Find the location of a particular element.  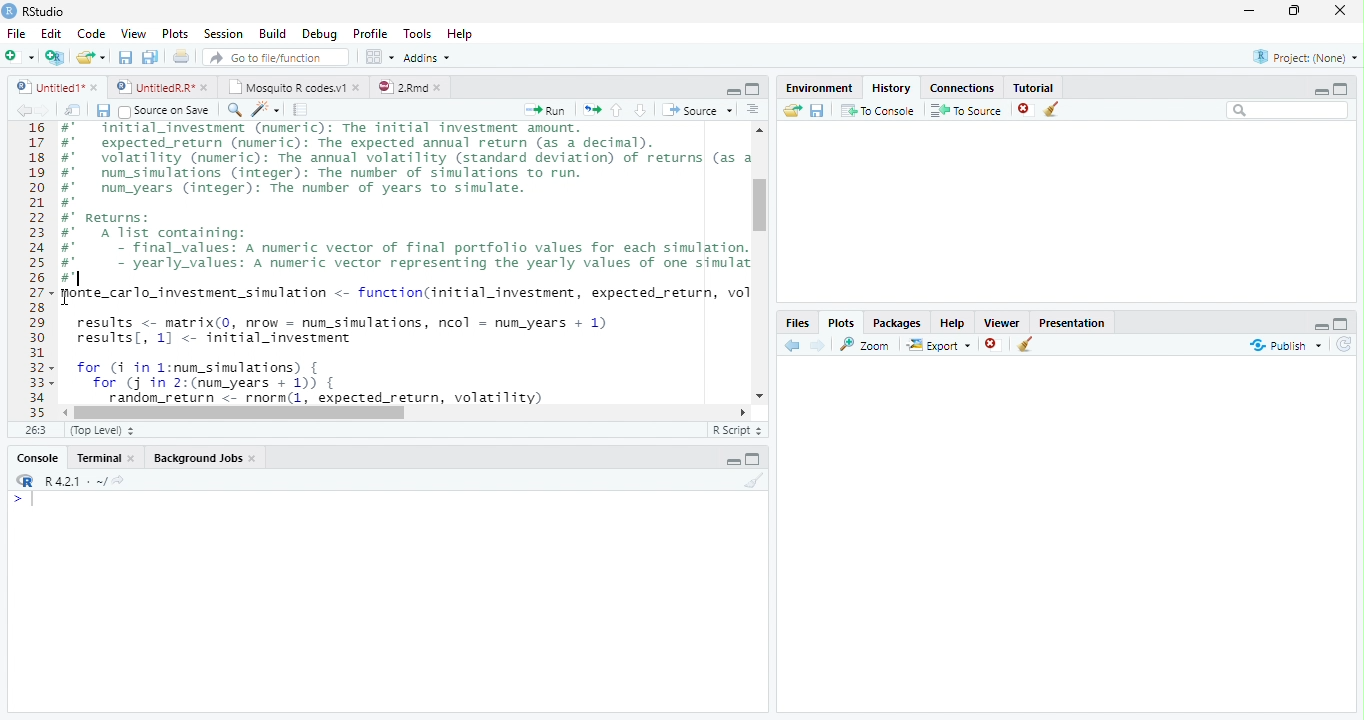

Plots is located at coordinates (841, 322).